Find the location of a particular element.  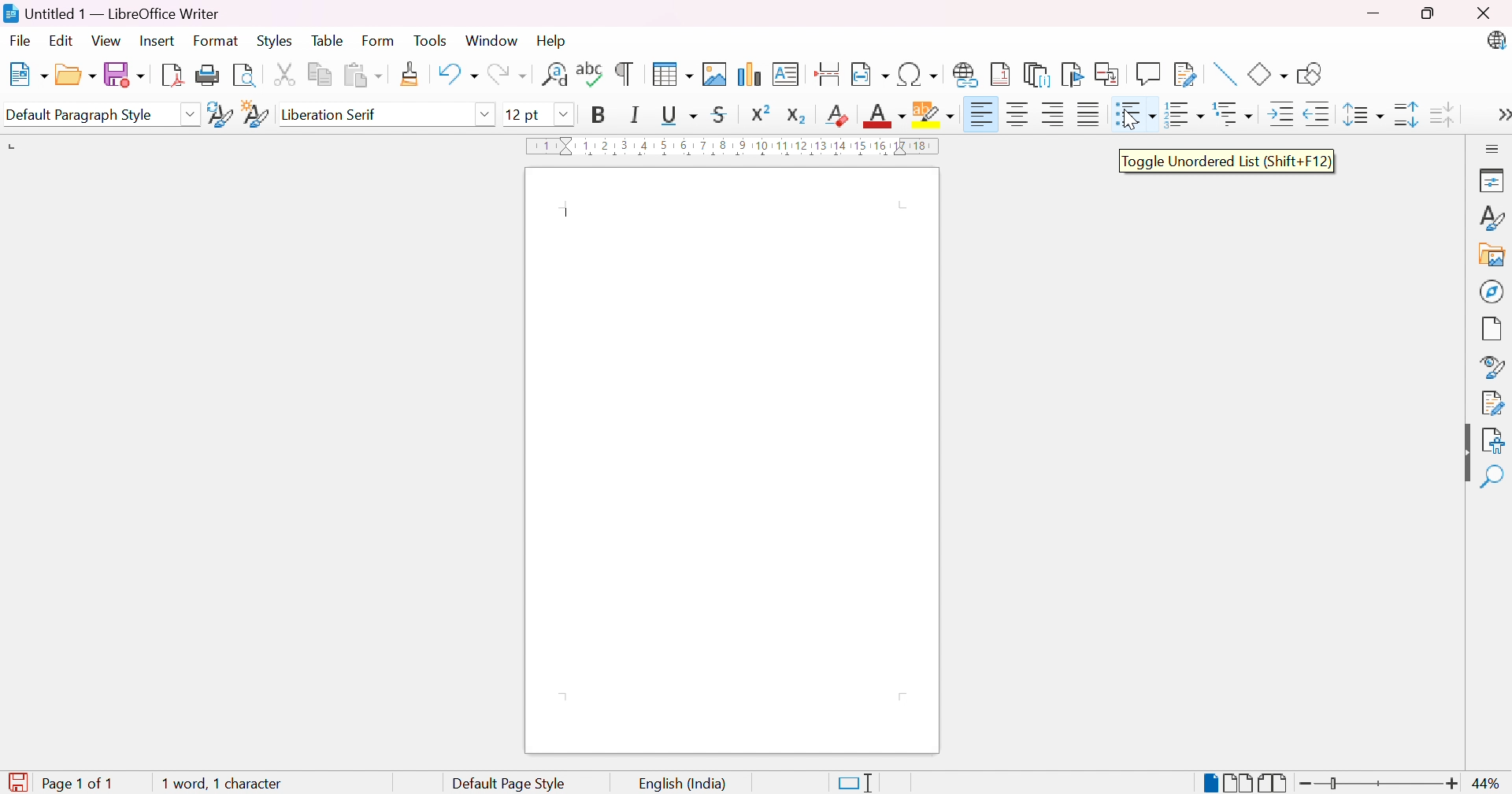

Default page style is located at coordinates (511, 783).